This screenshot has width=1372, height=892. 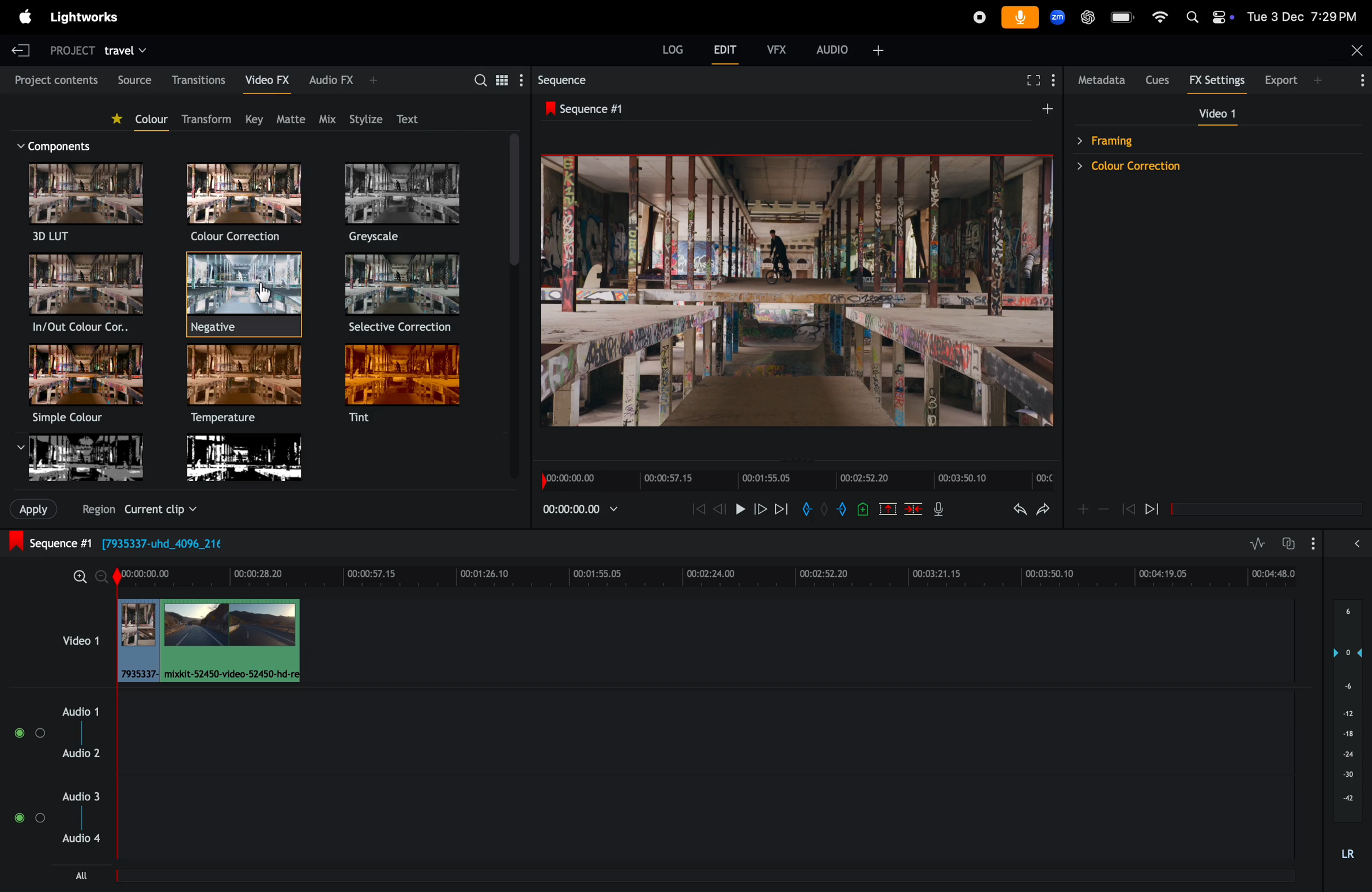 What do you see at coordinates (1316, 82) in the screenshot?
I see `export` at bounding box center [1316, 82].